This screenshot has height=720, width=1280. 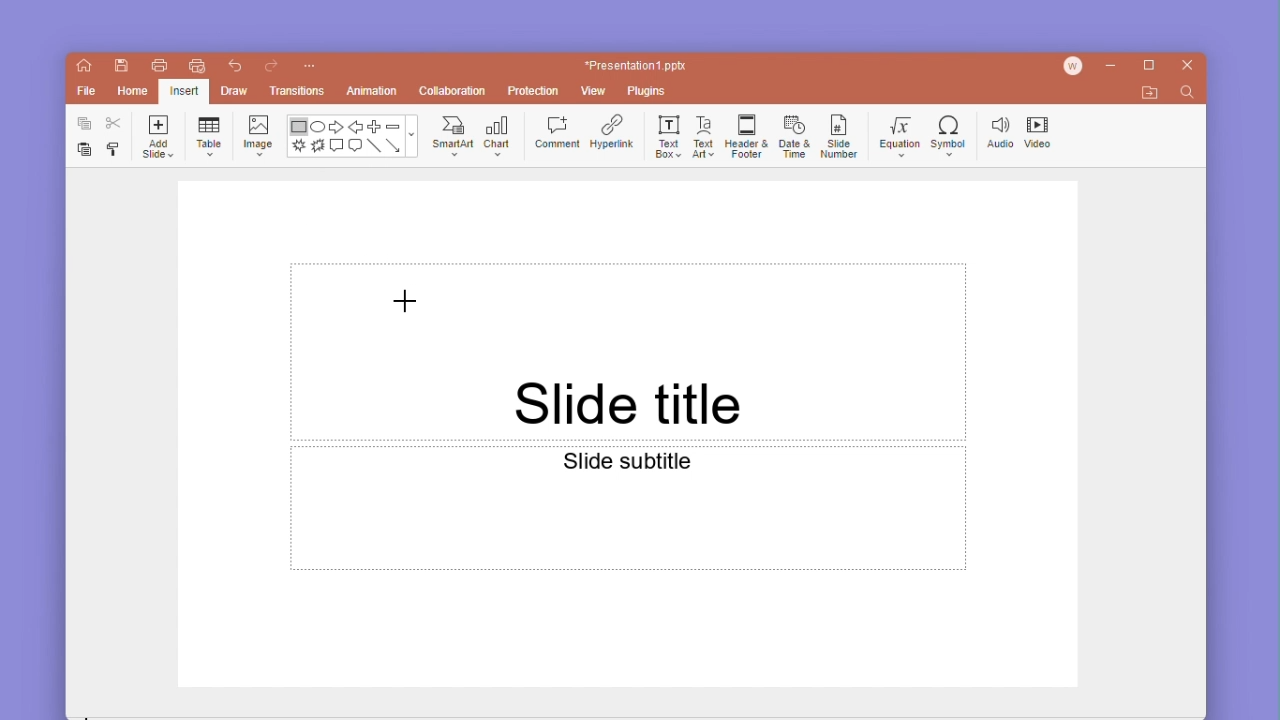 I want to click on format painter, so click(x=113, y=150).